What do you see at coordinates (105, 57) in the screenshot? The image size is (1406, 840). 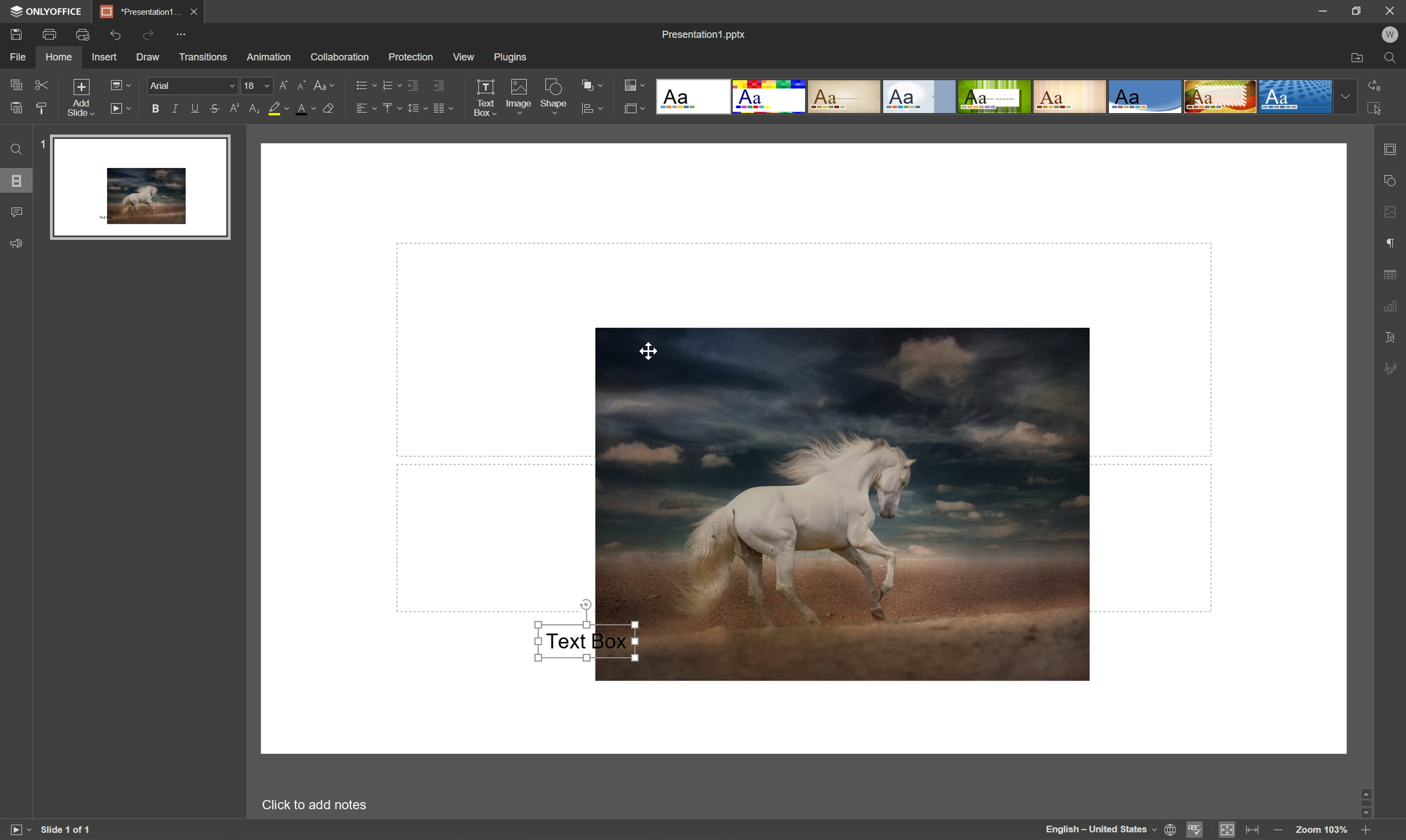 I see `Insert` at bounding box center [105, 57].